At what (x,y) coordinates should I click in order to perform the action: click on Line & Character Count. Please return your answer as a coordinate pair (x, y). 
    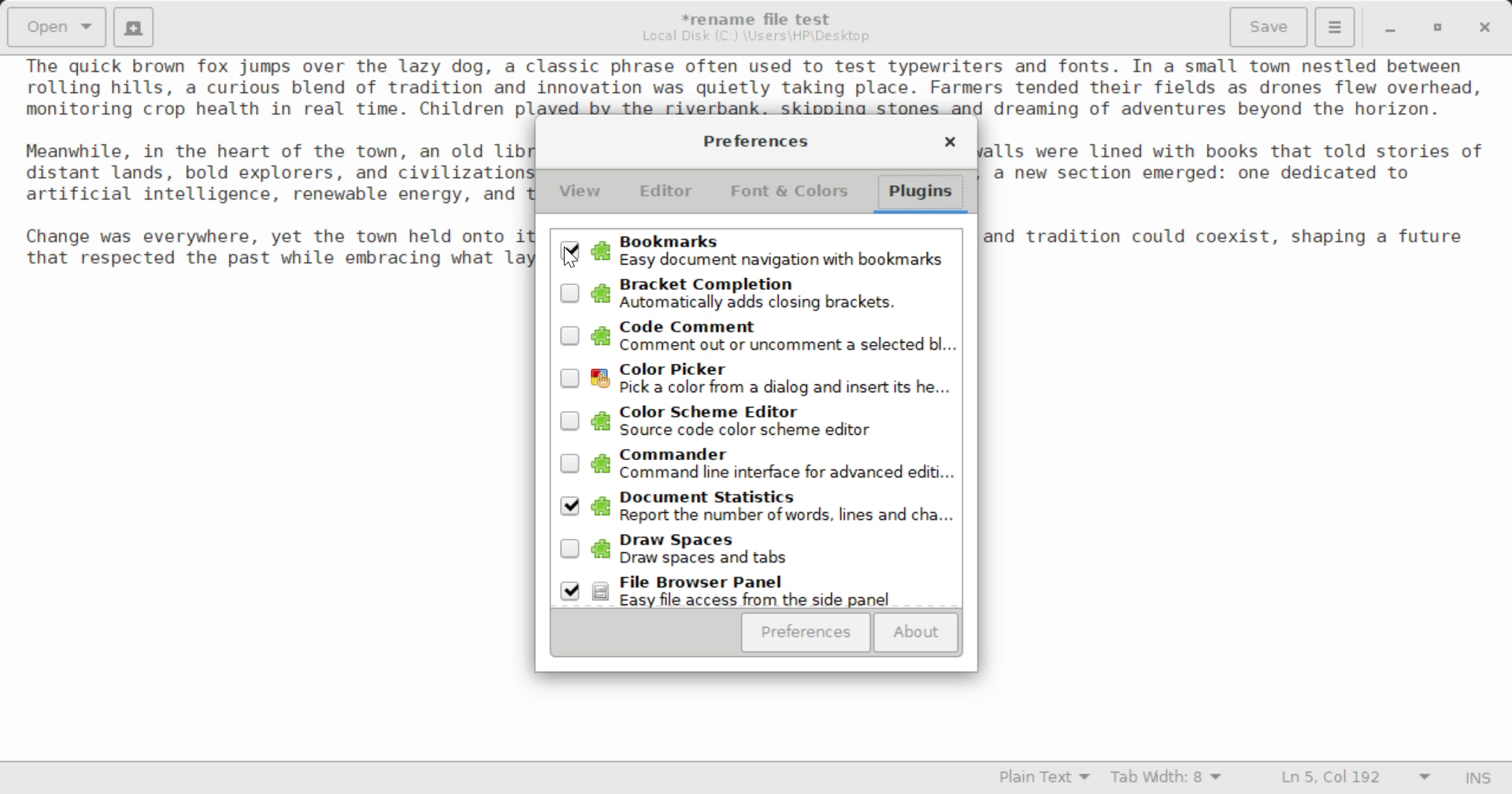
    Looking at the image, I should click on (1356, 779).